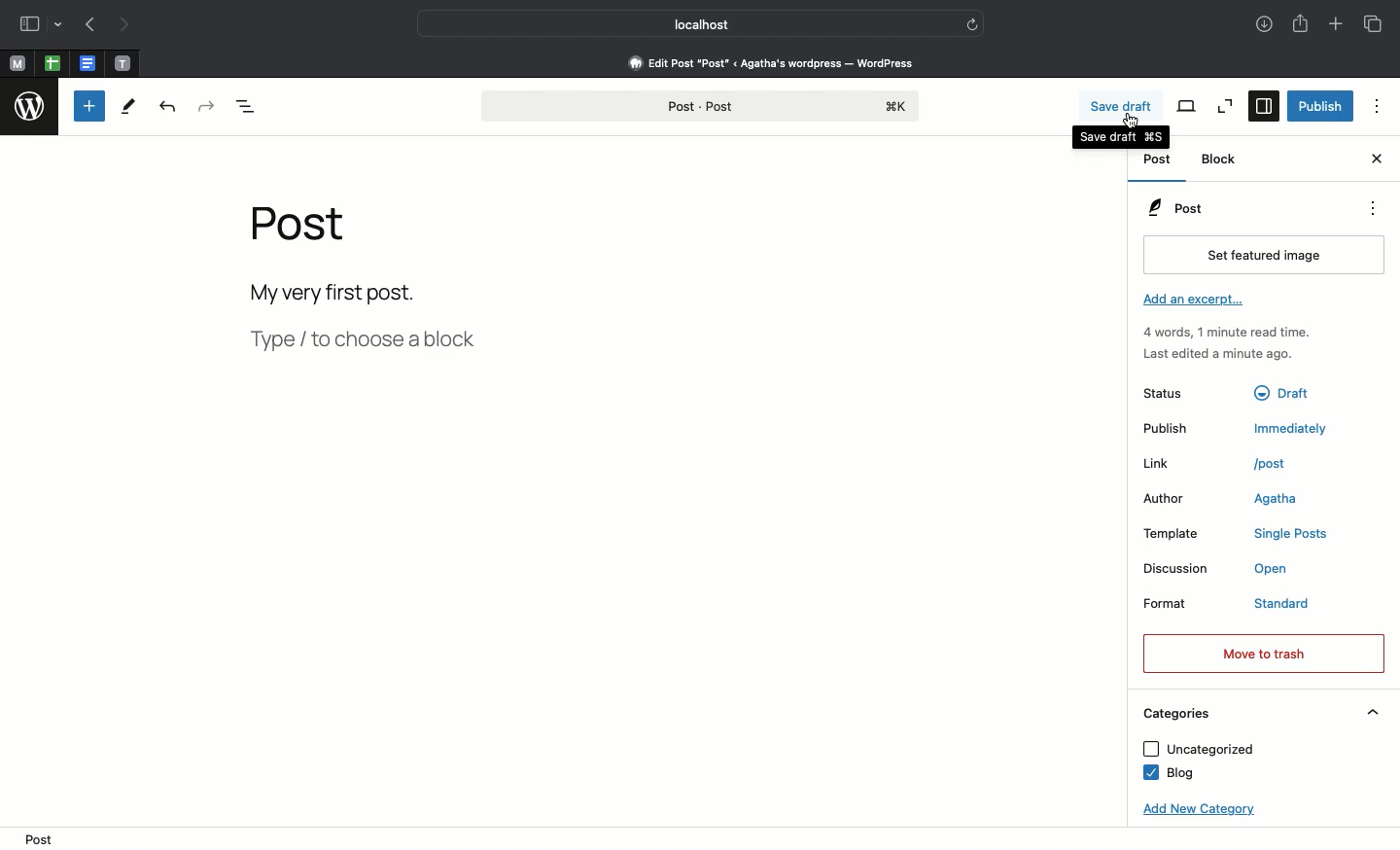 The width and height of the screenshot is (1400, 850). I want to click on Immediately, so click(1295, 428).